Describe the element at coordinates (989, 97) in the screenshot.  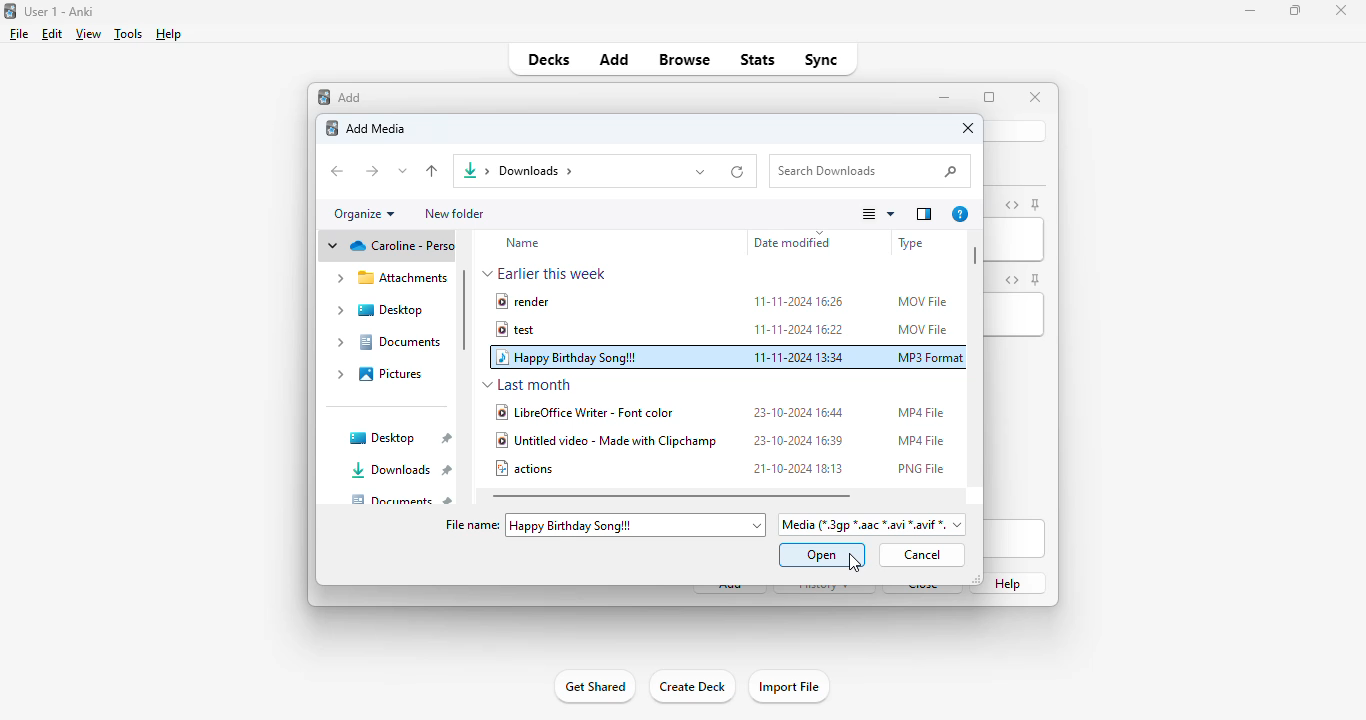
I see `maximize` at that location.